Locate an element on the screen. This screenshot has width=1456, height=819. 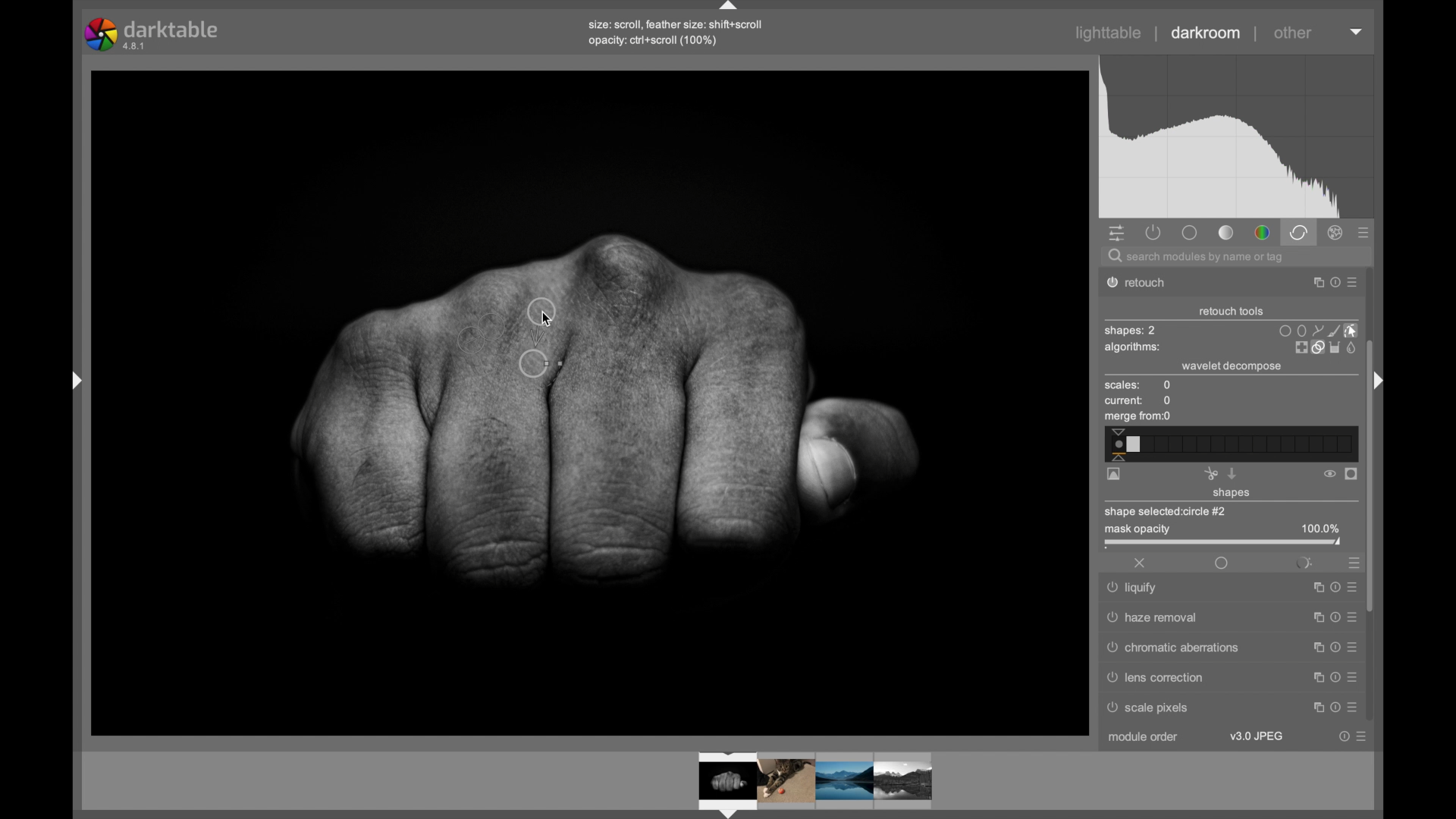
liquify is located at coordinates (1134, 590).